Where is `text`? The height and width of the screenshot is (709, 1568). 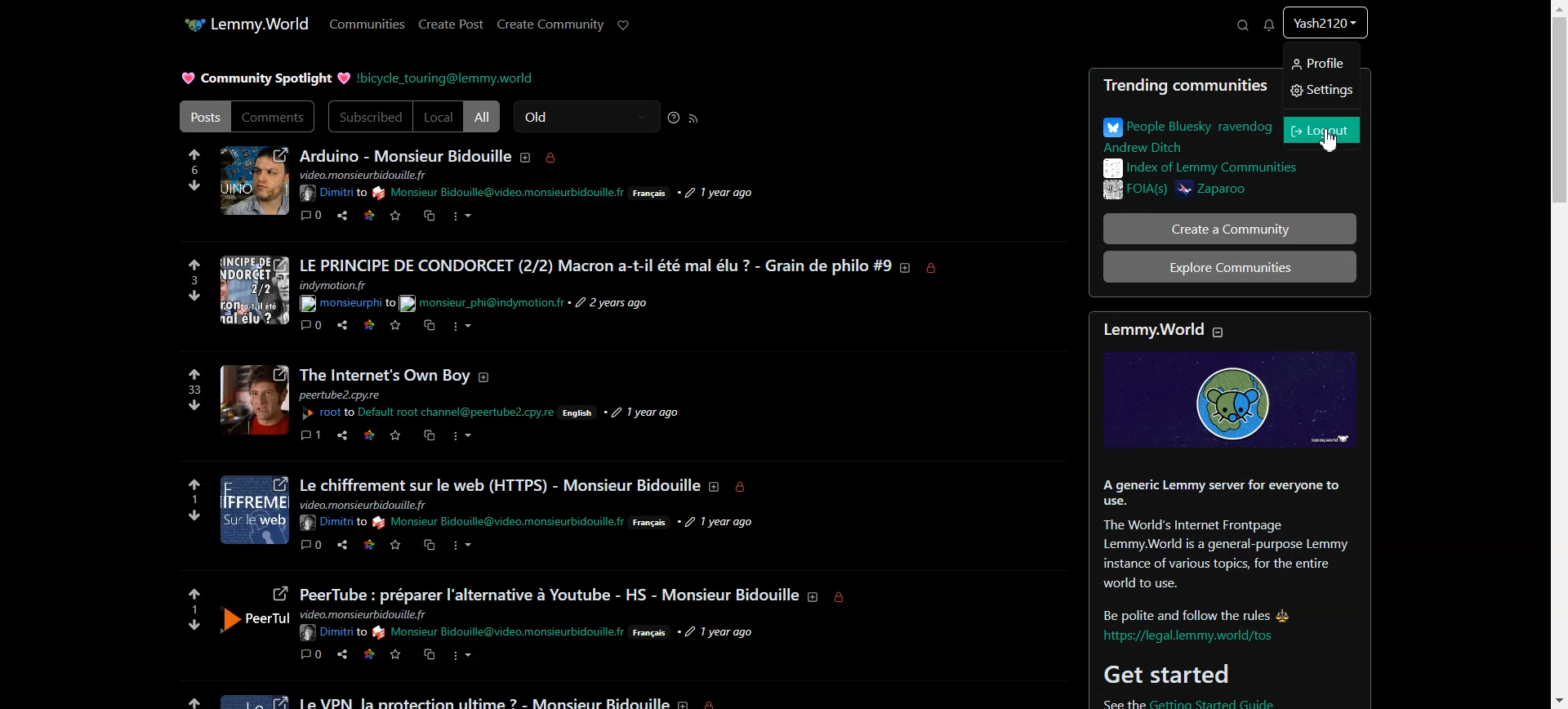 text is located at coordinates (483, 305).